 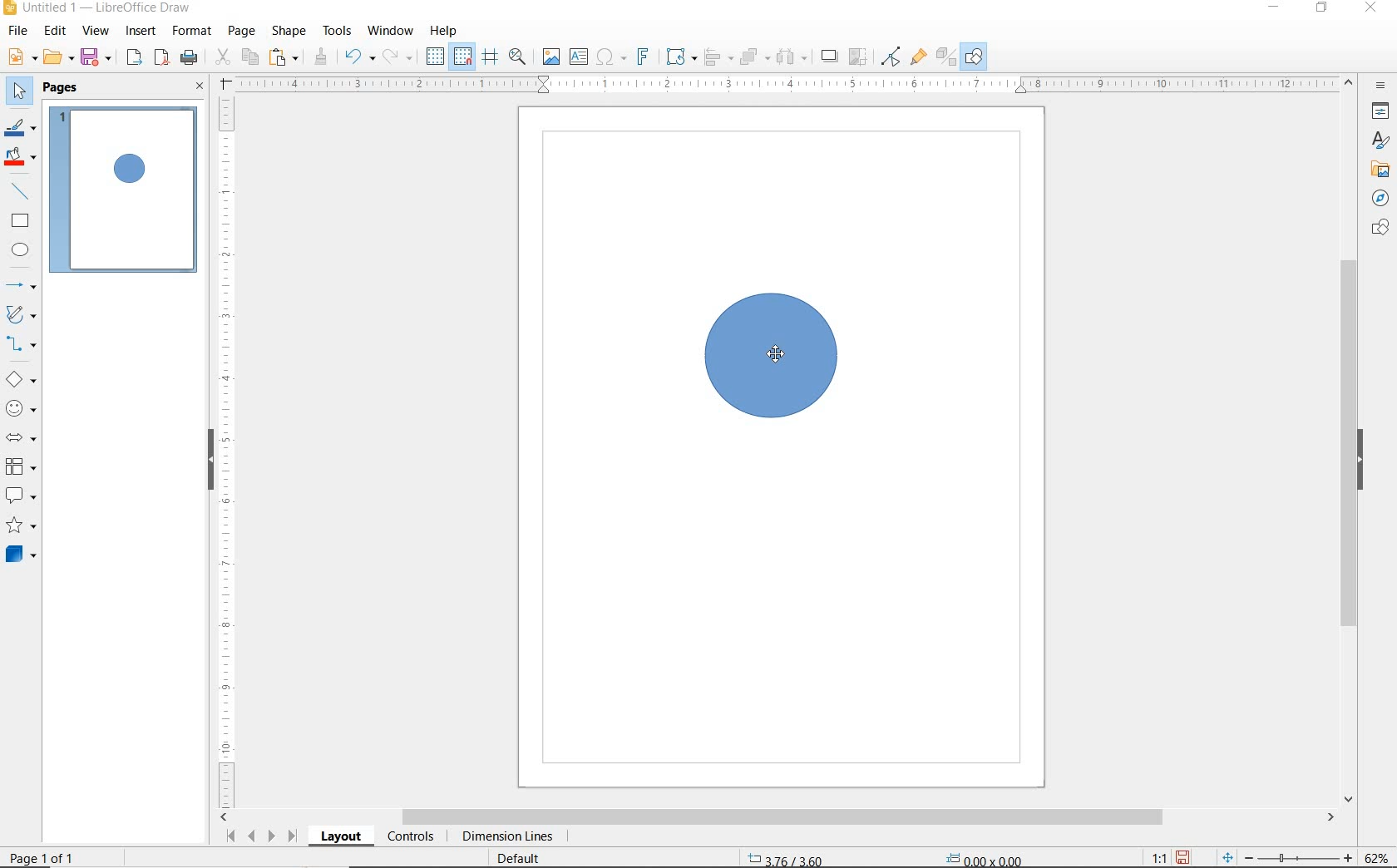 What do you see at coordinates (97, 57) in the screenshot?
I see `SAVE` at bounding box center [97, 57].